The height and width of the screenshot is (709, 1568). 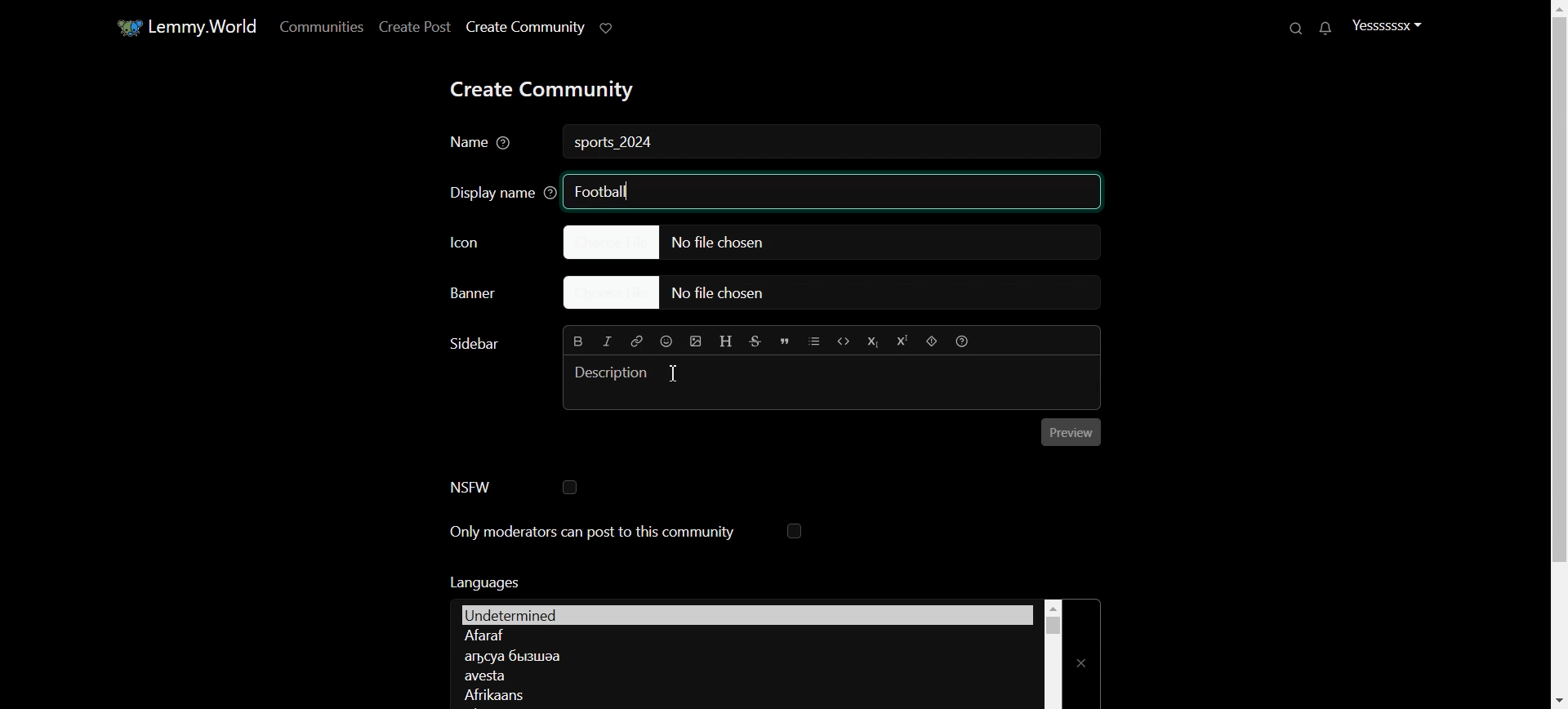 What do you see at coordinates (667, 341) in the screenshot?
I see `Emoji` at bounding box center [667, 341].